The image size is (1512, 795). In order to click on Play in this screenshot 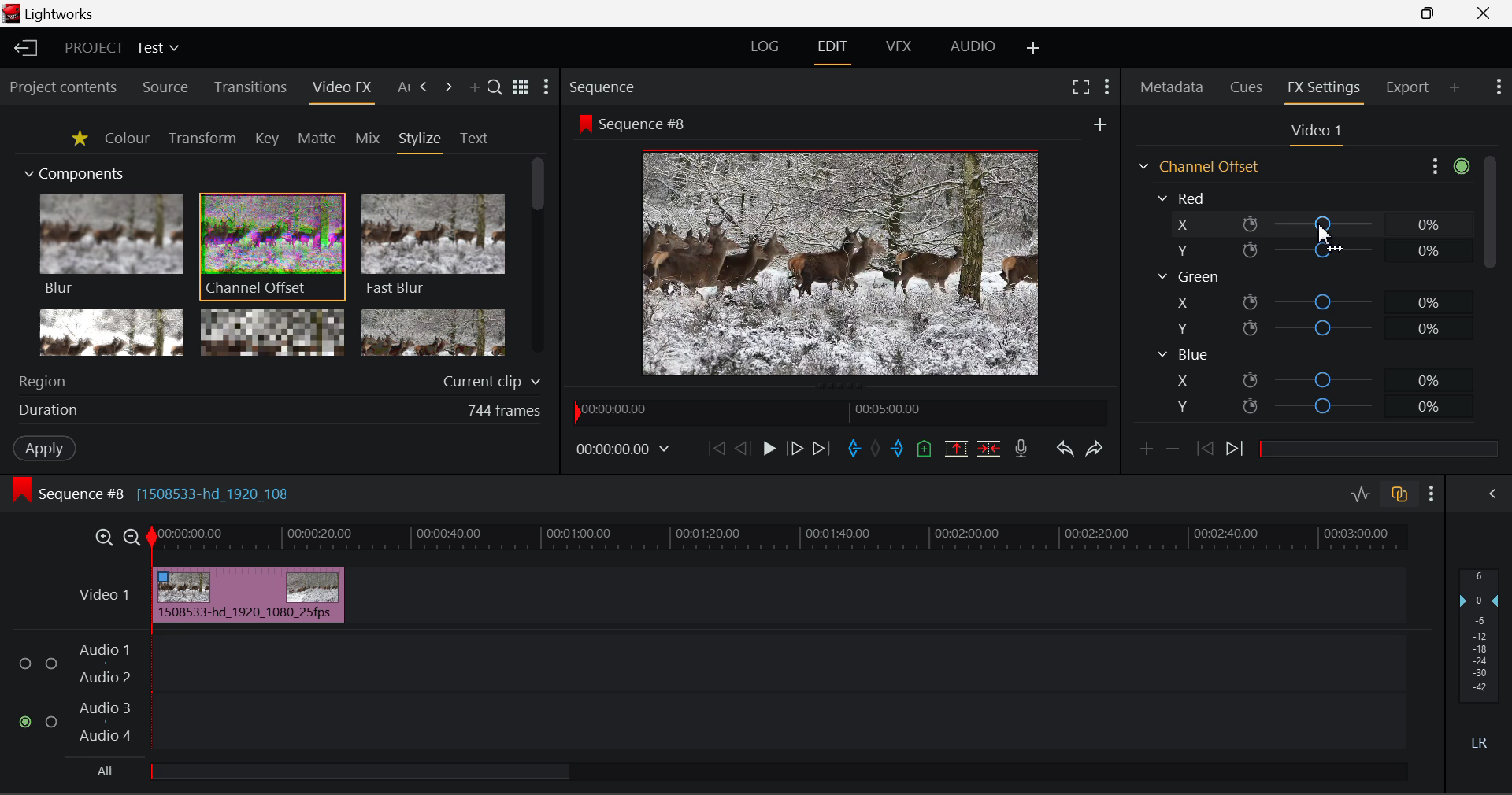, I will do `click(767, 449)`.